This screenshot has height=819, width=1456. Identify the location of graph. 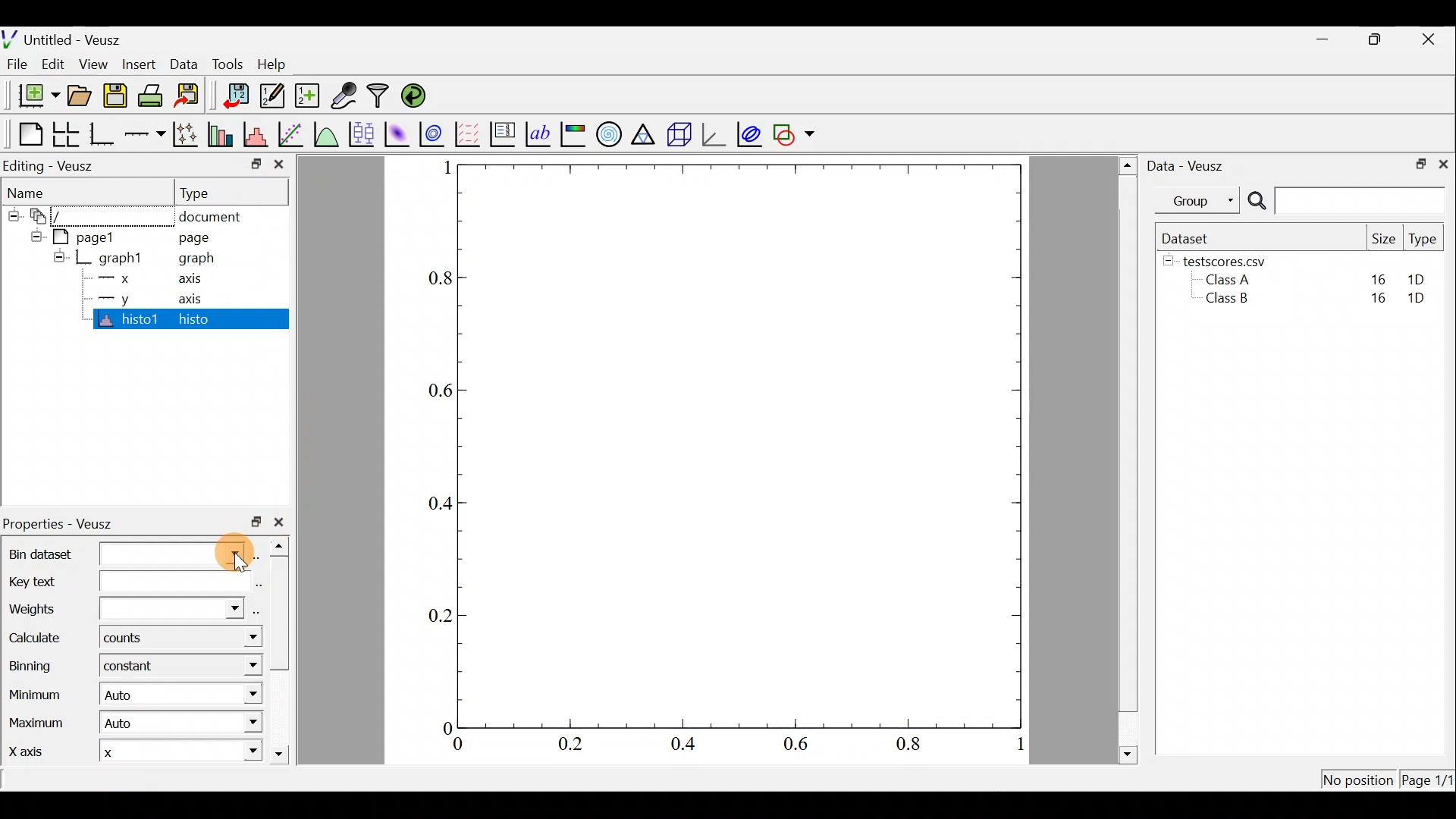
(203, 259).